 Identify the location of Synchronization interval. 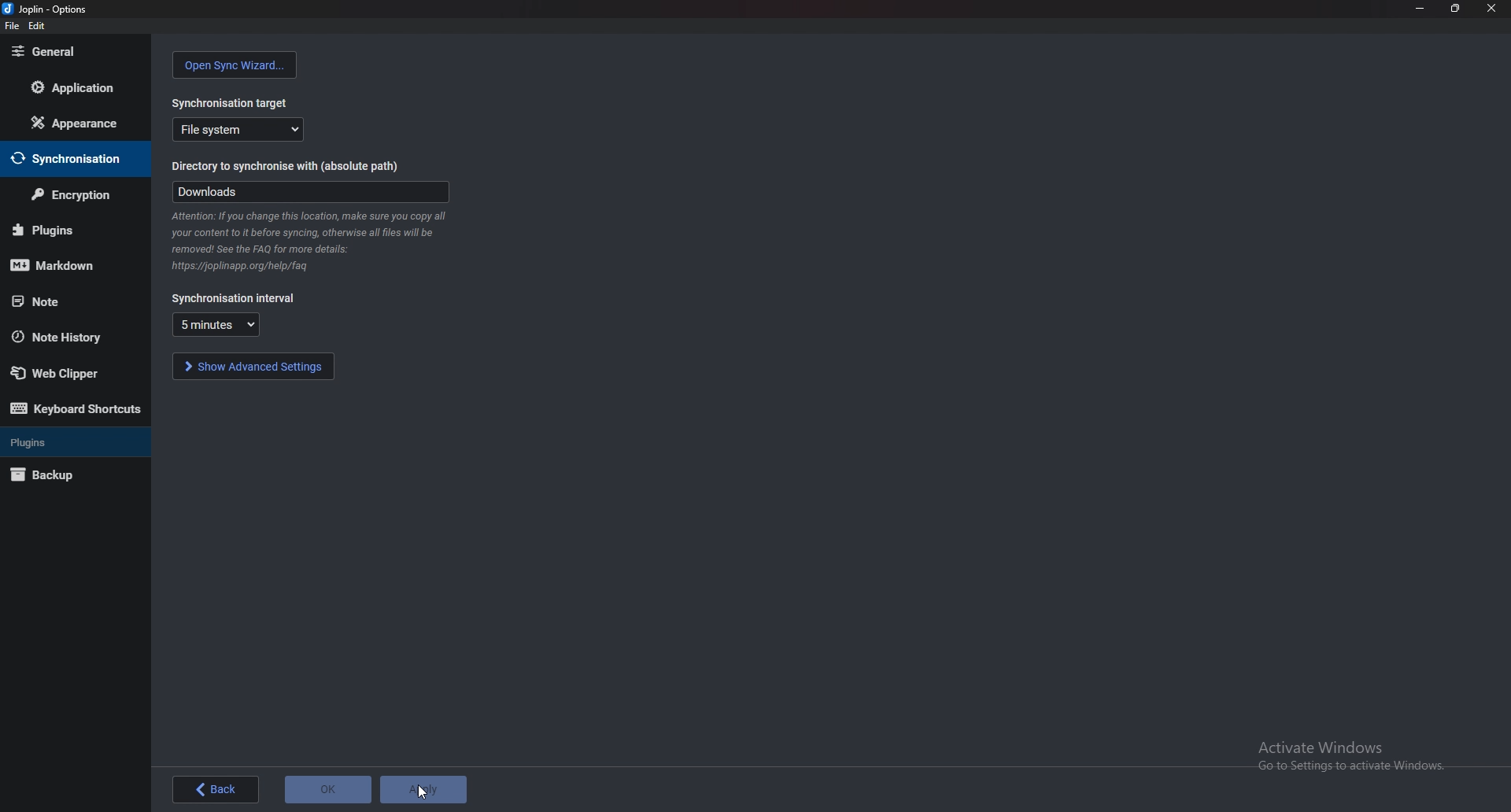
(235, 299).